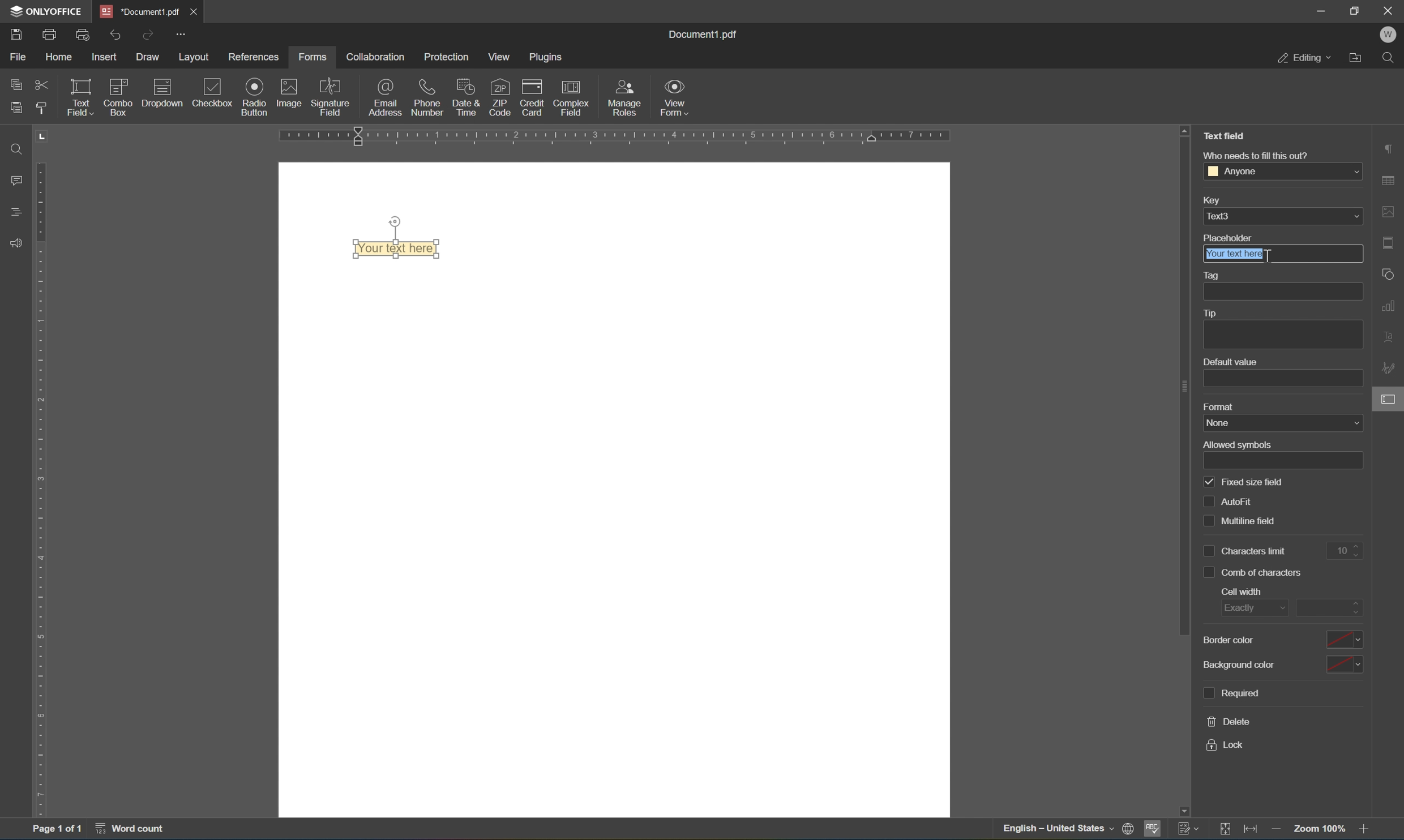 The height and width of the screenshot is (840, 1404). What do you see at coordinates (1390, 401) in the screenshot?
I see `cursor` at bounding box center [1390, 401].